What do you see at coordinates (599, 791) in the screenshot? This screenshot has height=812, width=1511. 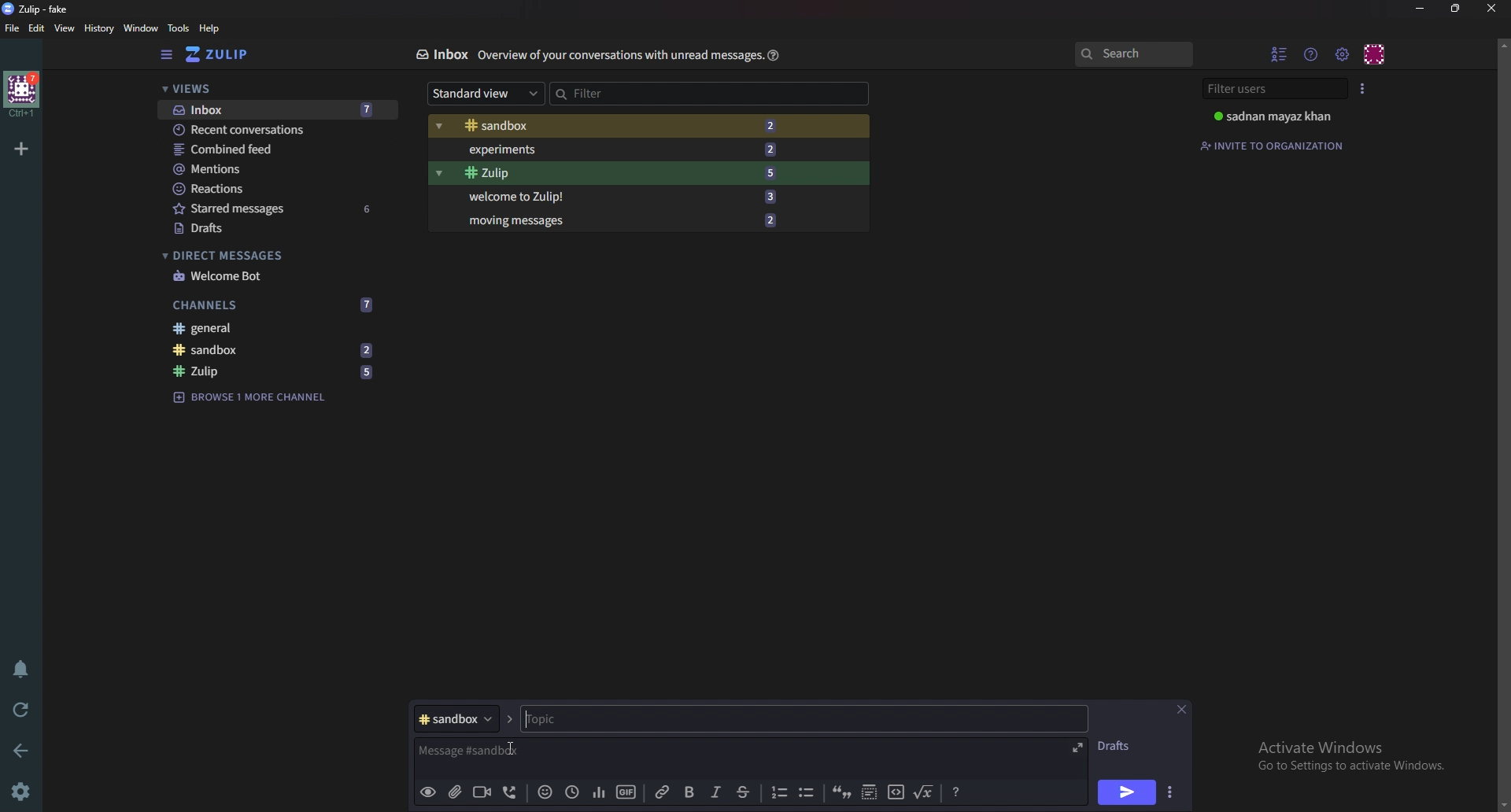 I see `poll` at bounding box center [599, 791].